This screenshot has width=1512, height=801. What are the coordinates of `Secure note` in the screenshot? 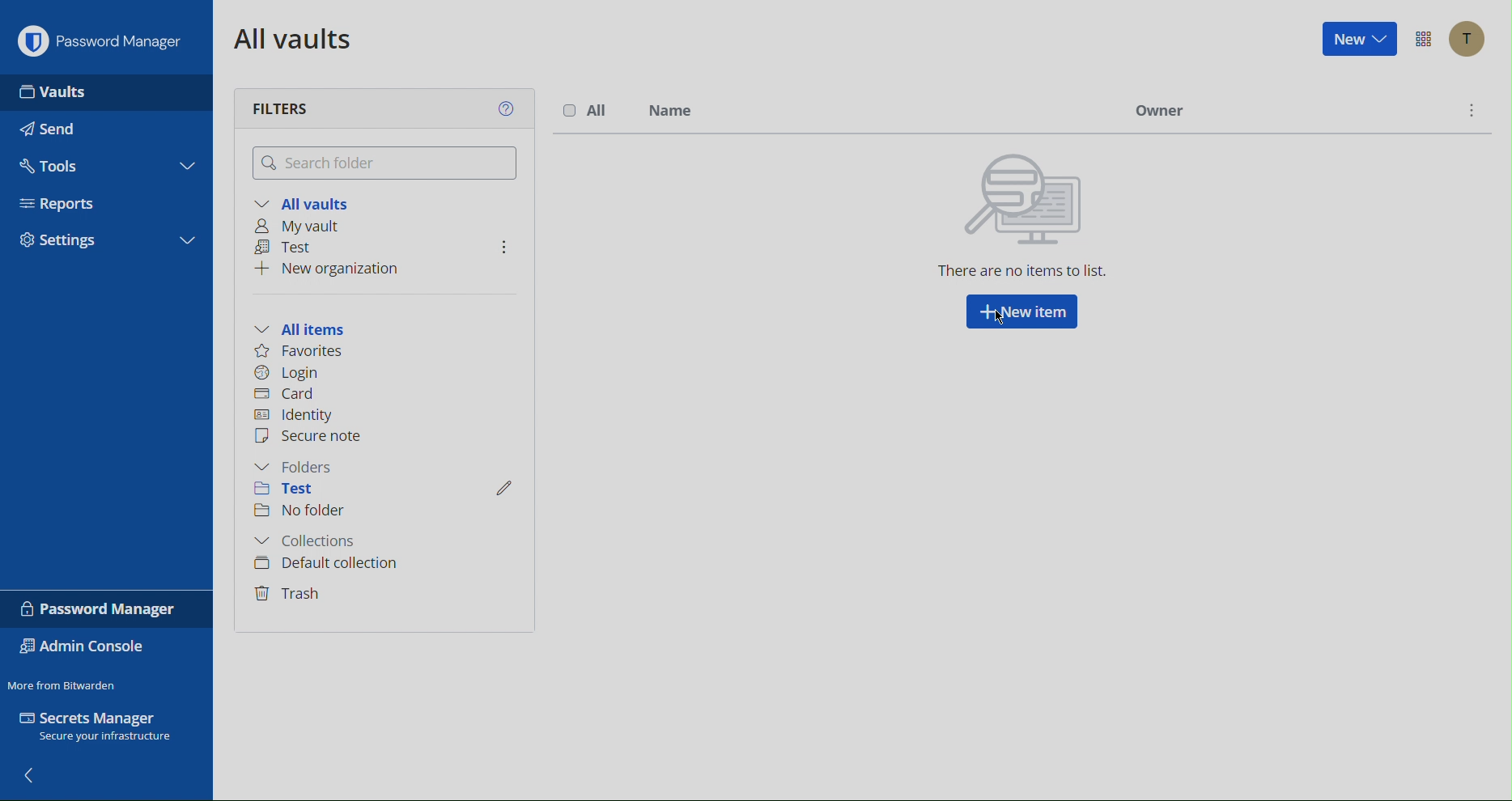 It's located at (318, 439).